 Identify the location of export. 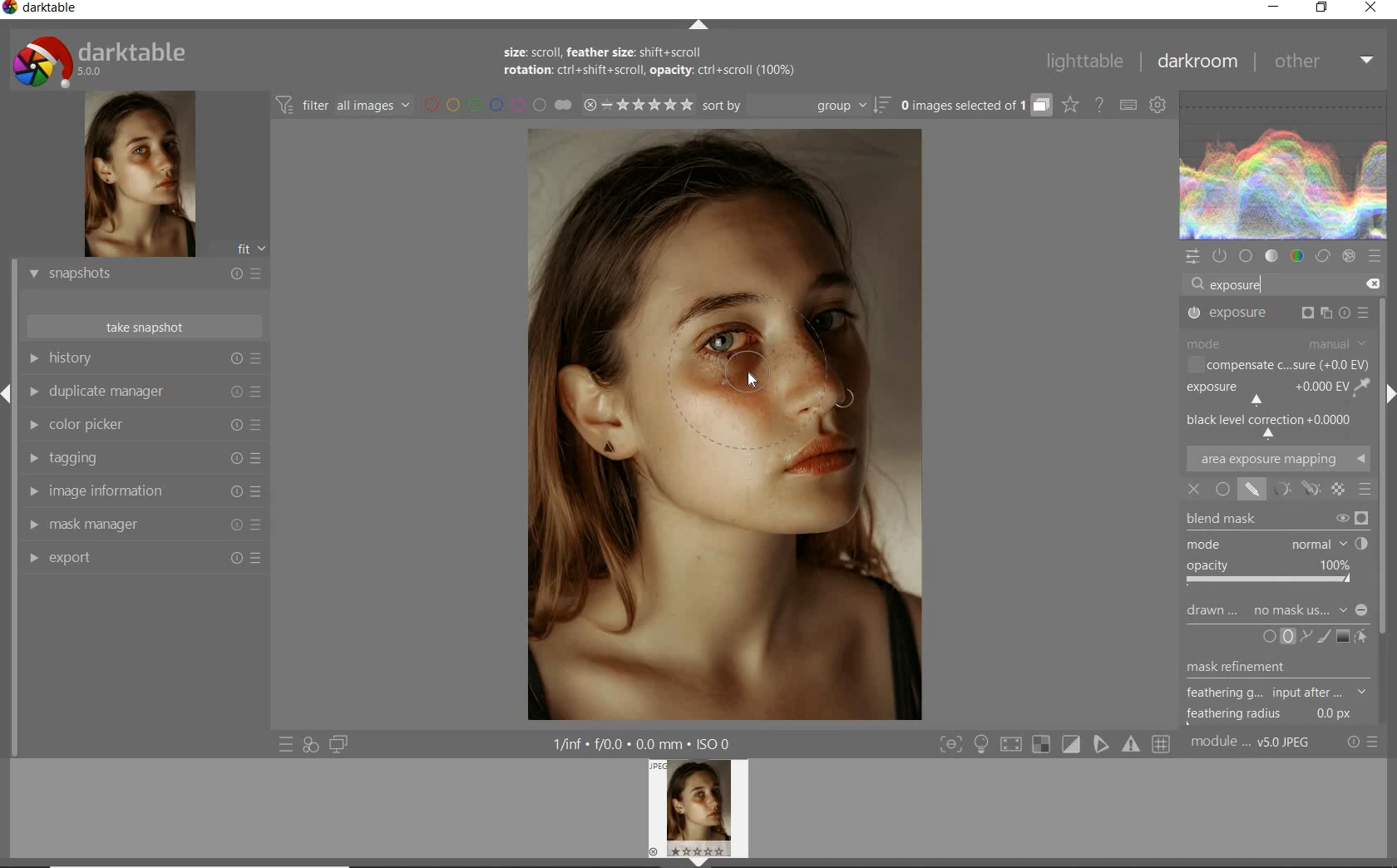
(142, 561).